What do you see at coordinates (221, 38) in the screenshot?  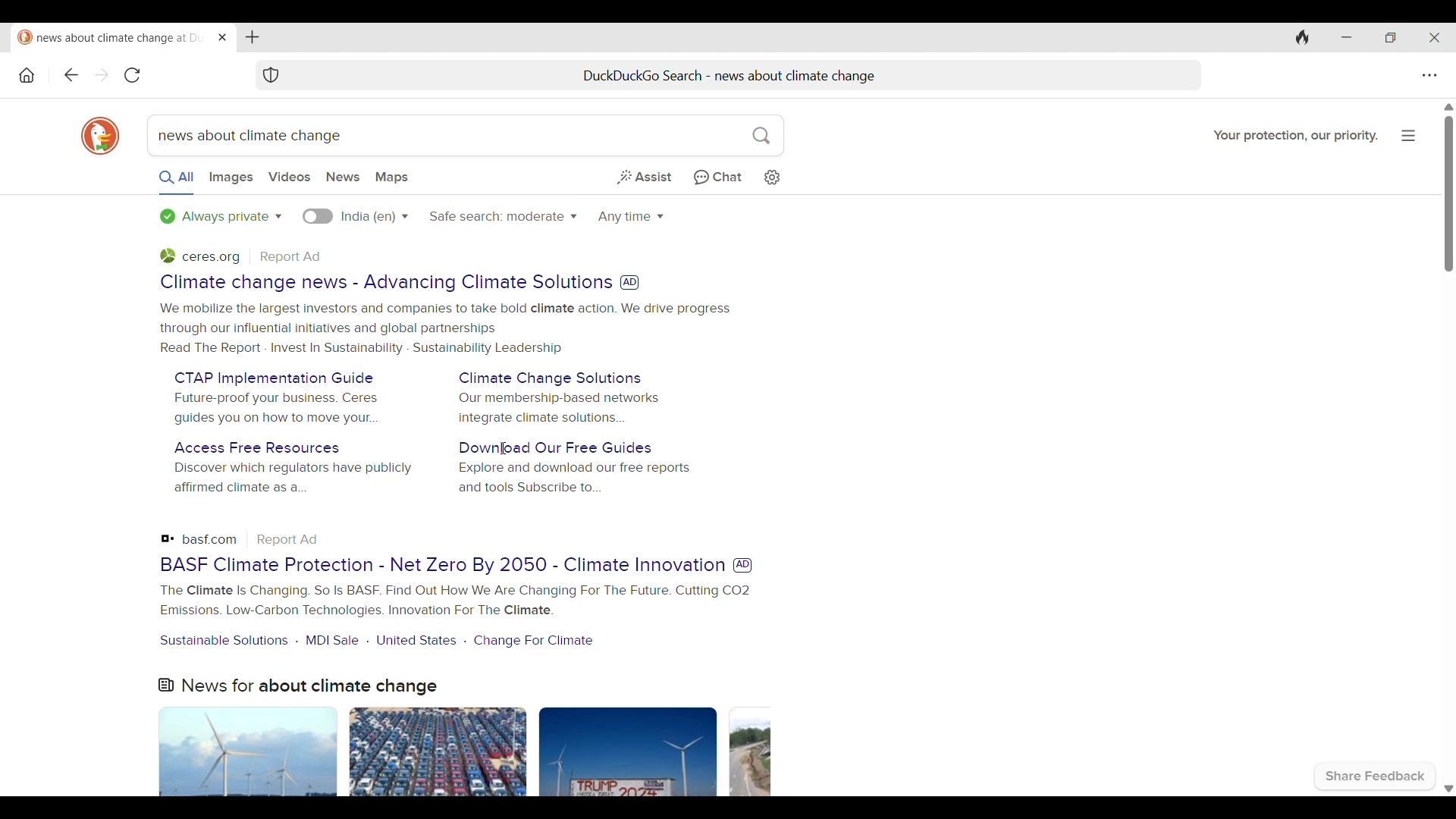 I see `Close tab` at bounding box center [221, 38].